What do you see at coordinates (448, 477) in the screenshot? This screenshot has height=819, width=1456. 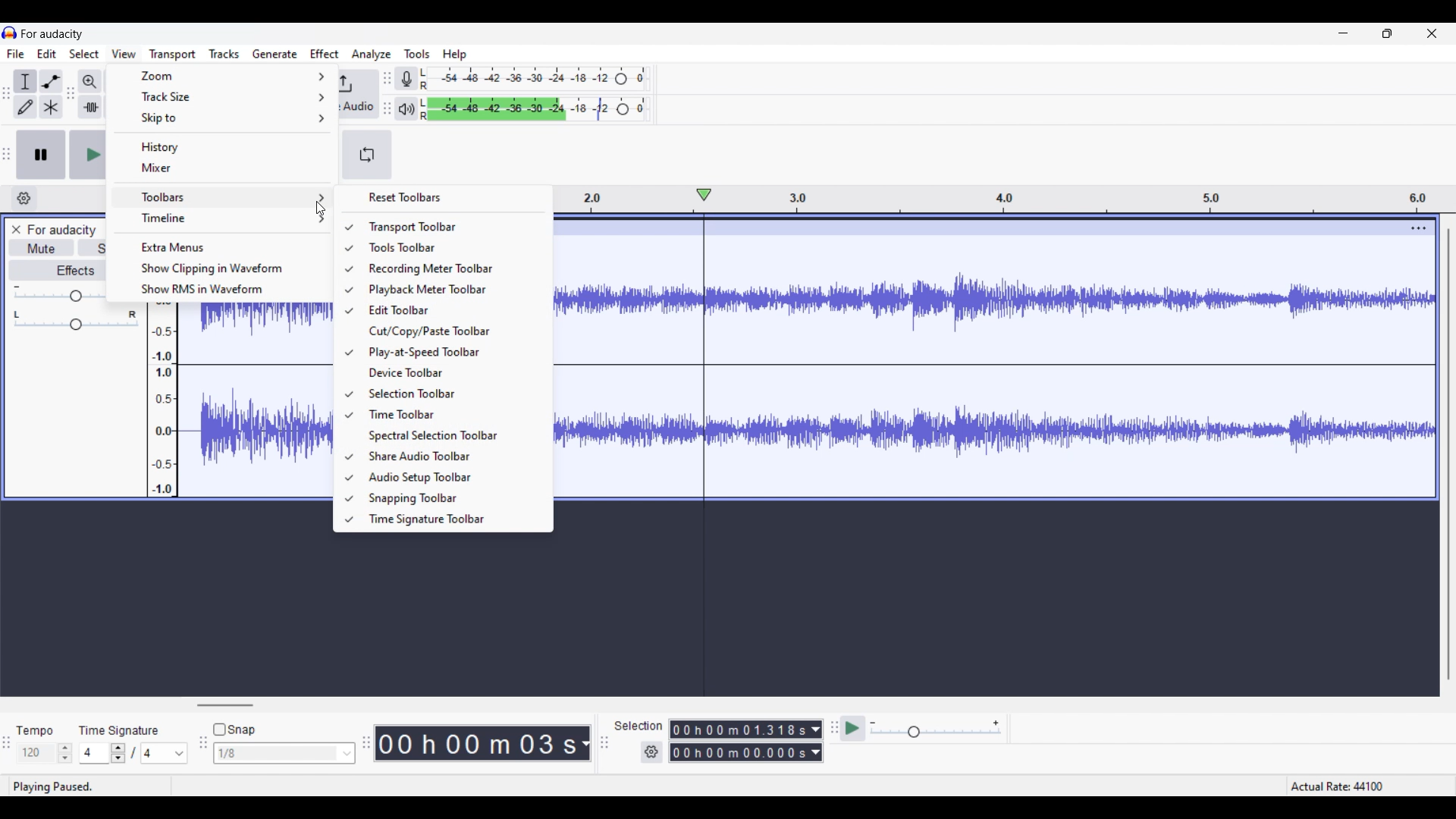 I see `Audio setup toolbar` at bounding box center [448, 477].